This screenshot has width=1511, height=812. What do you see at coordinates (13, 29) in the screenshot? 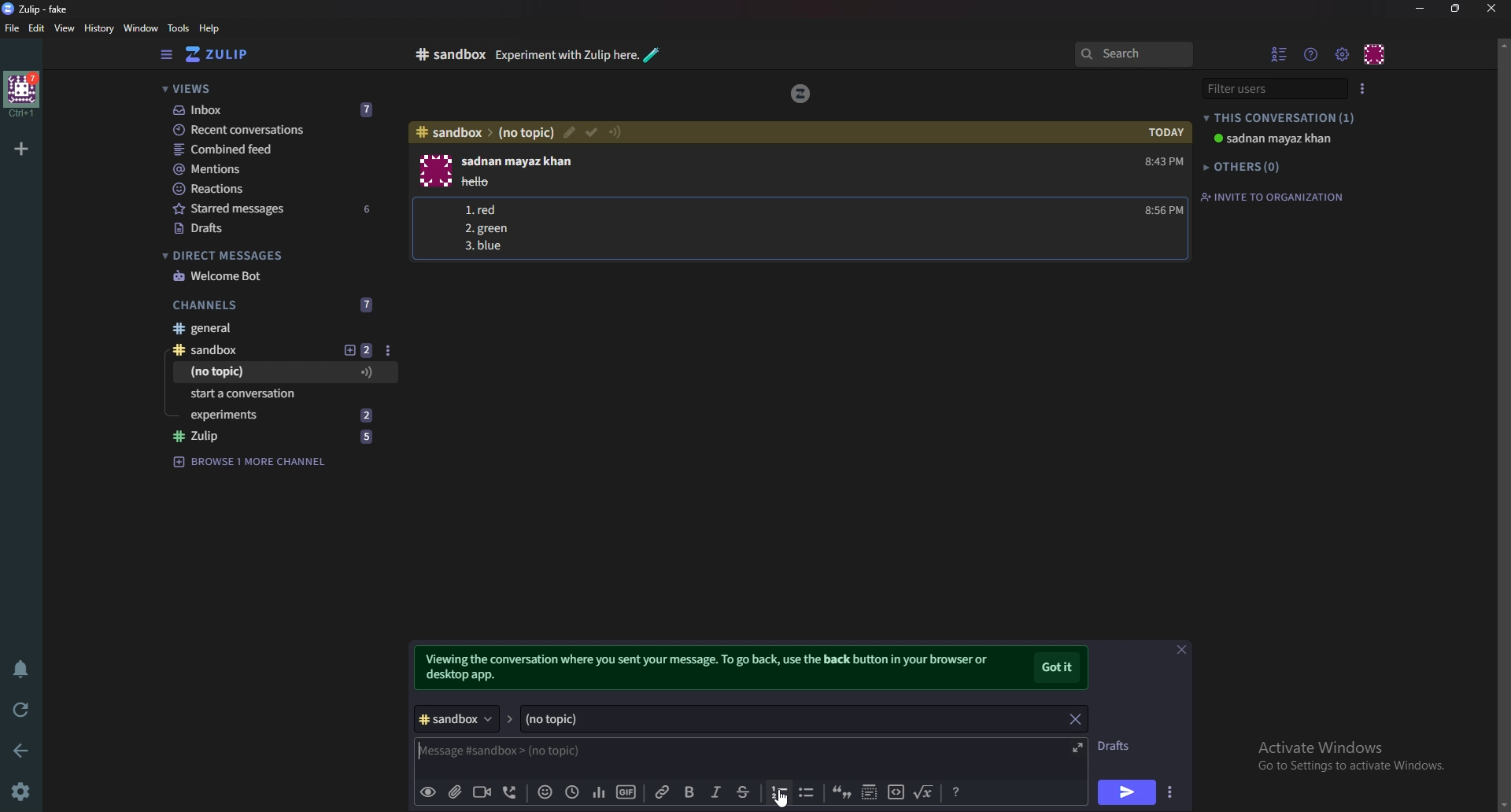
I see `File` at bounding box center [13, 29].